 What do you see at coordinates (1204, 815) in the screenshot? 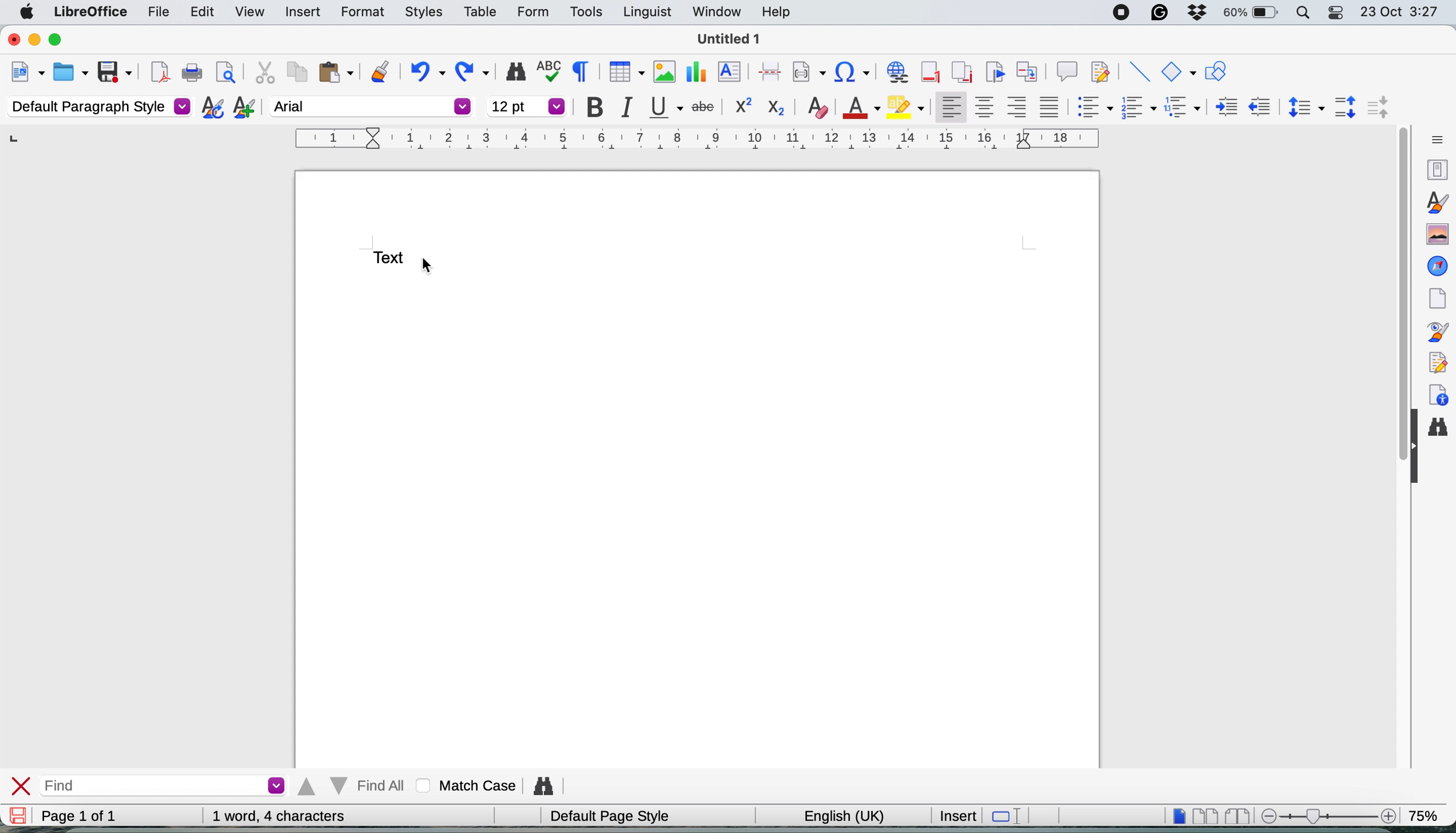
I see `multi page view` at bounding box center [1204, 815].